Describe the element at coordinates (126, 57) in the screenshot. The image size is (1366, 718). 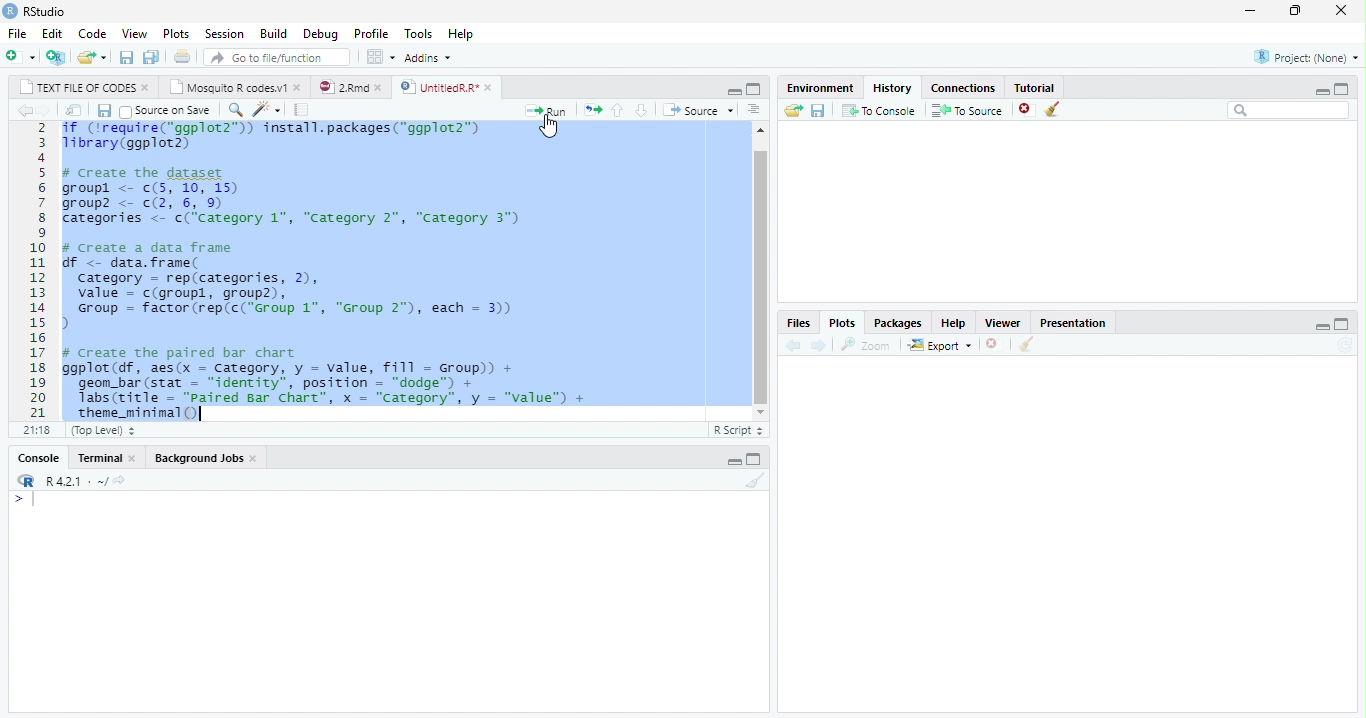
I see `save current document` at that location.